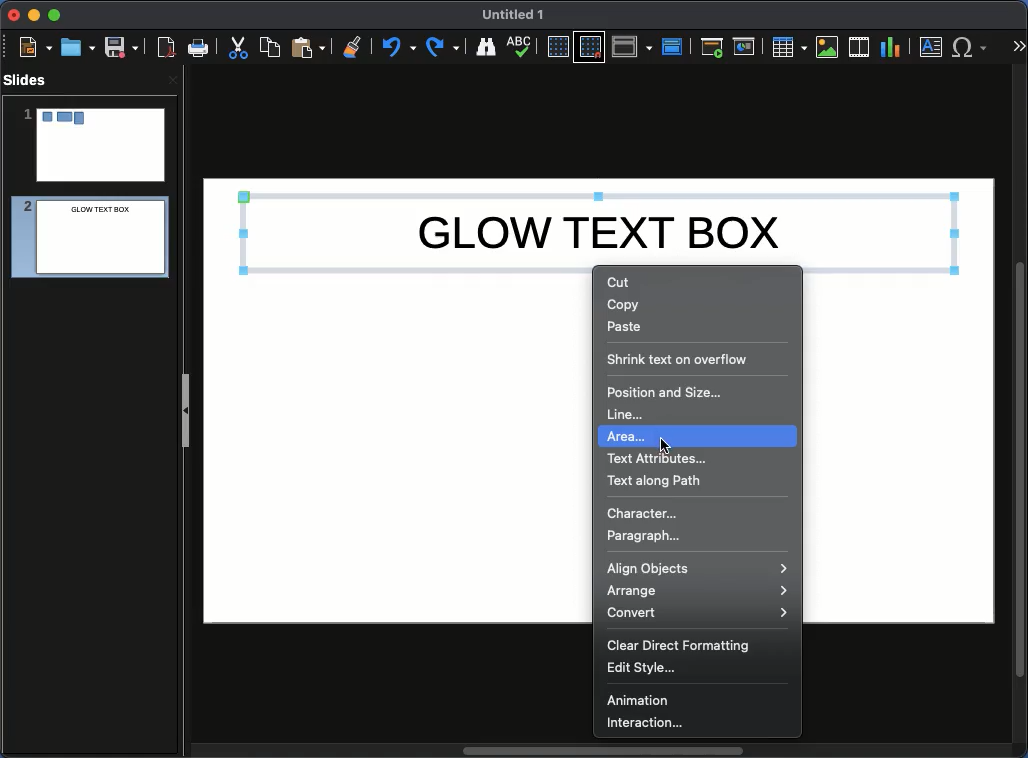 Image resolution: width=1028 pixels, height=758 pixels. What do you see at coordinates (33, 14) in the screenshot?
I see `Minimize` at bounding box center [33, 14].